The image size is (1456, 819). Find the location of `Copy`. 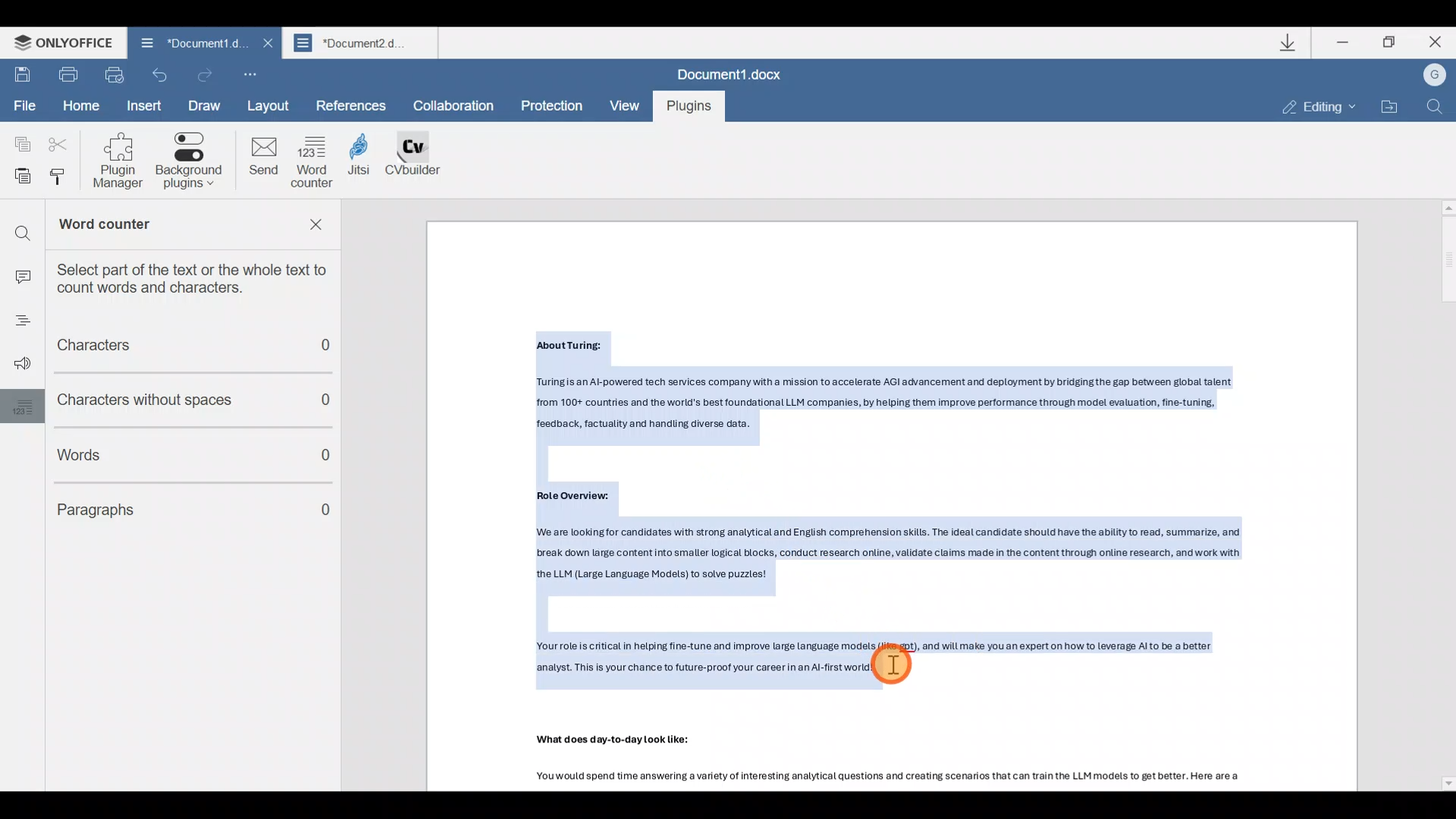

Copy is located at coordinates (20, 143).